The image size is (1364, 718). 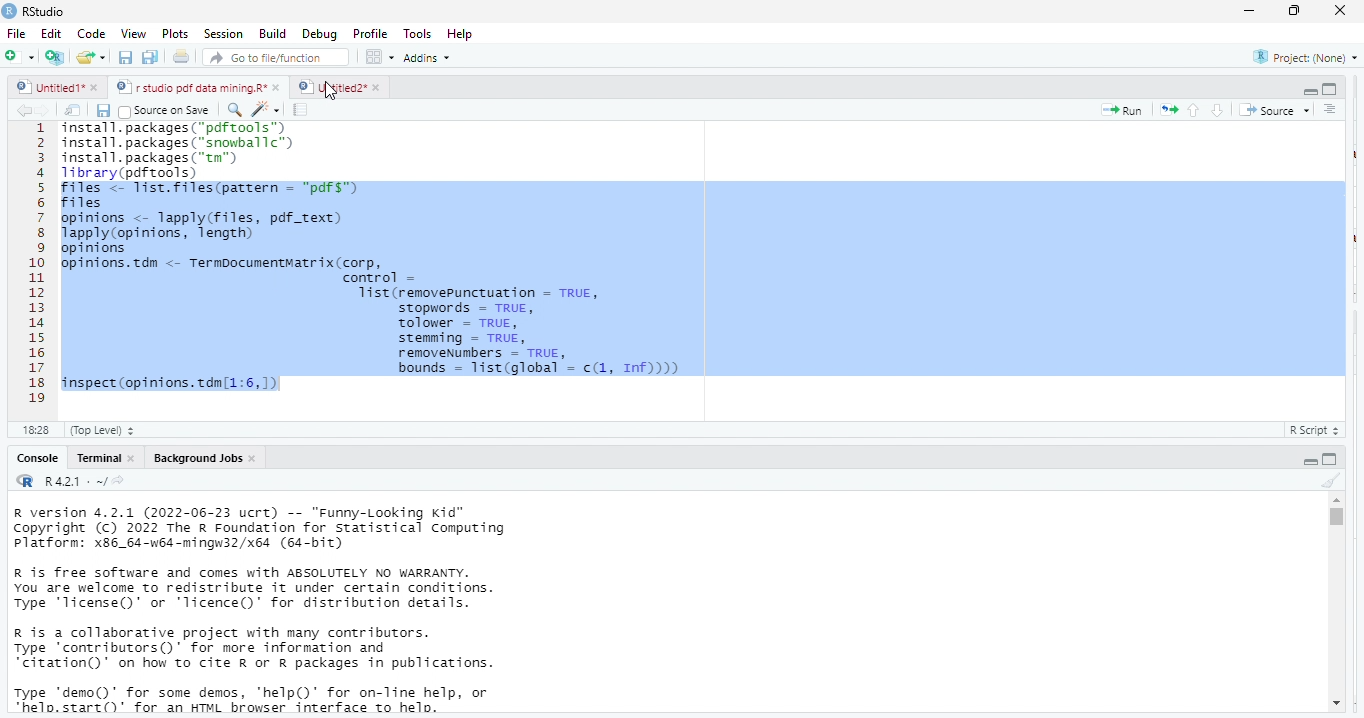 I want to click on edit, so click(x=51, y=34).